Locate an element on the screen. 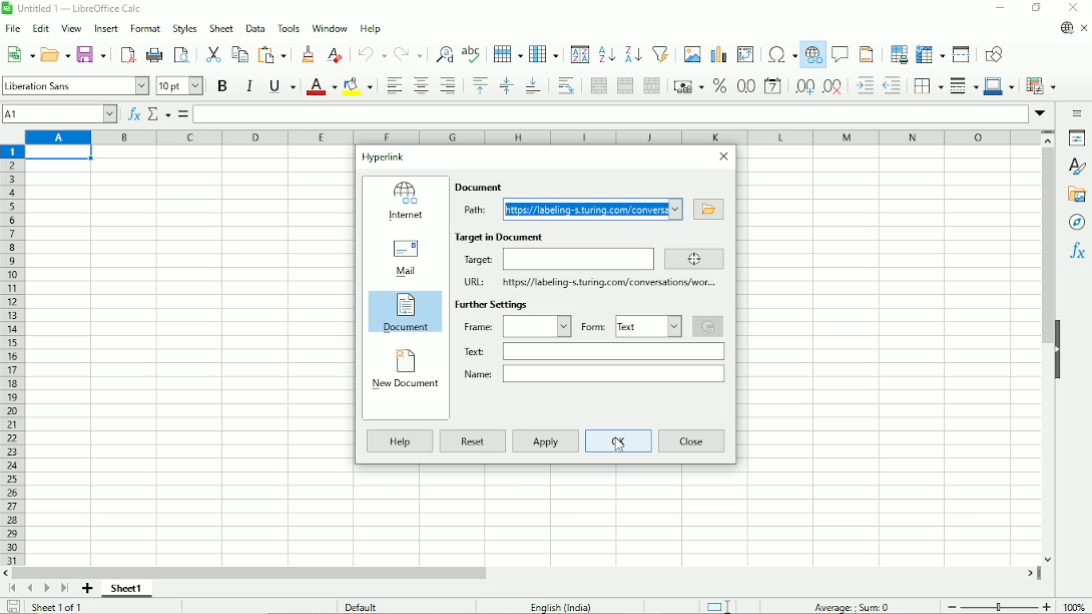 The image size is (1092, 614). Sort is located at coordinates (579, 54).